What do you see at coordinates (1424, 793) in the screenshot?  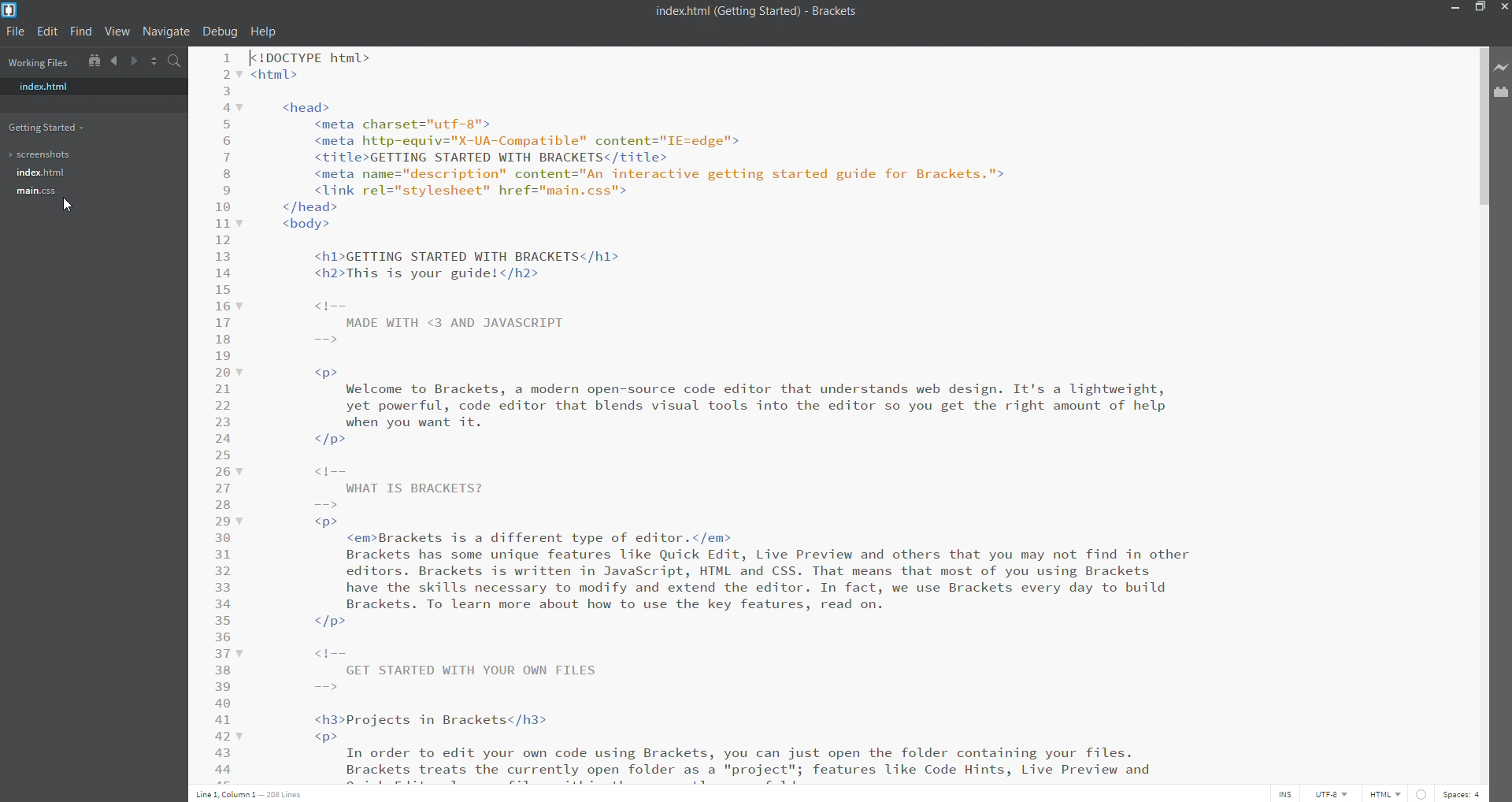 I see `linter check` at bounding box center [1424, 793].